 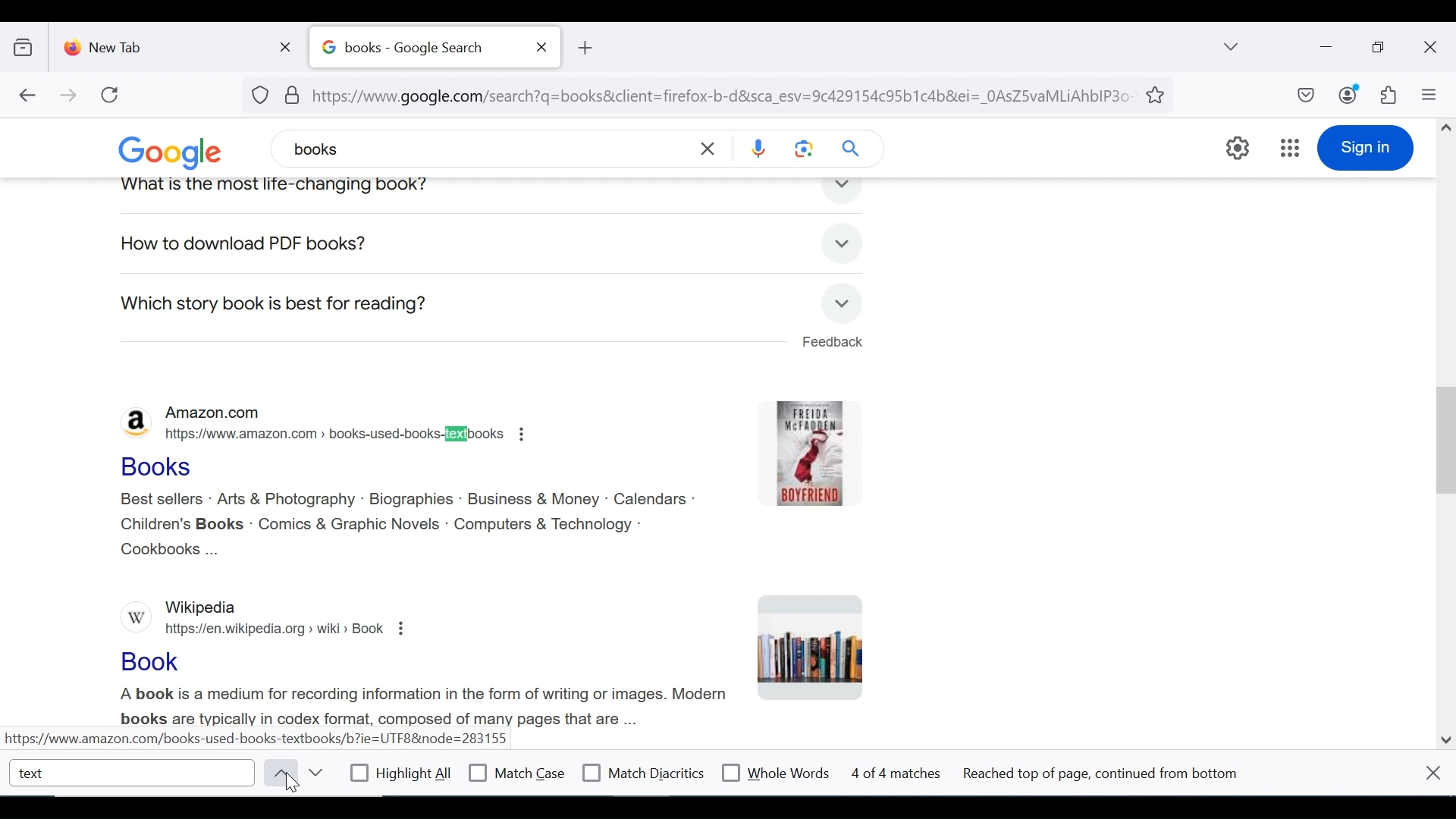 What do you see at coordinates (249, 410) in the screenshot?
I see `amazon.com` at bounding box center [249, 410].